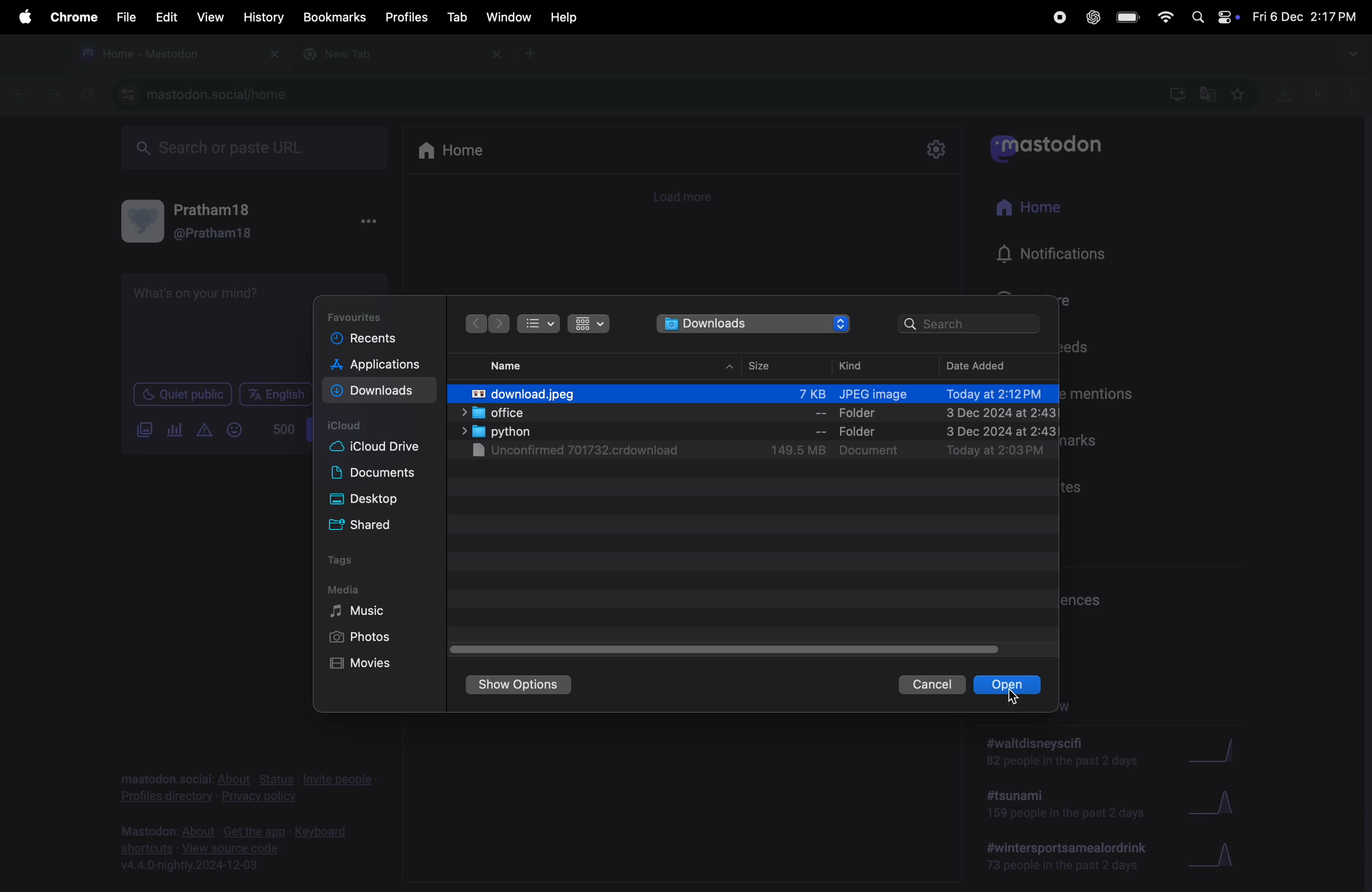 This screenshot has height=892, width=1372. Describe the element at coordinates (1045, 212) in the screenshot. I see `home` at that location.